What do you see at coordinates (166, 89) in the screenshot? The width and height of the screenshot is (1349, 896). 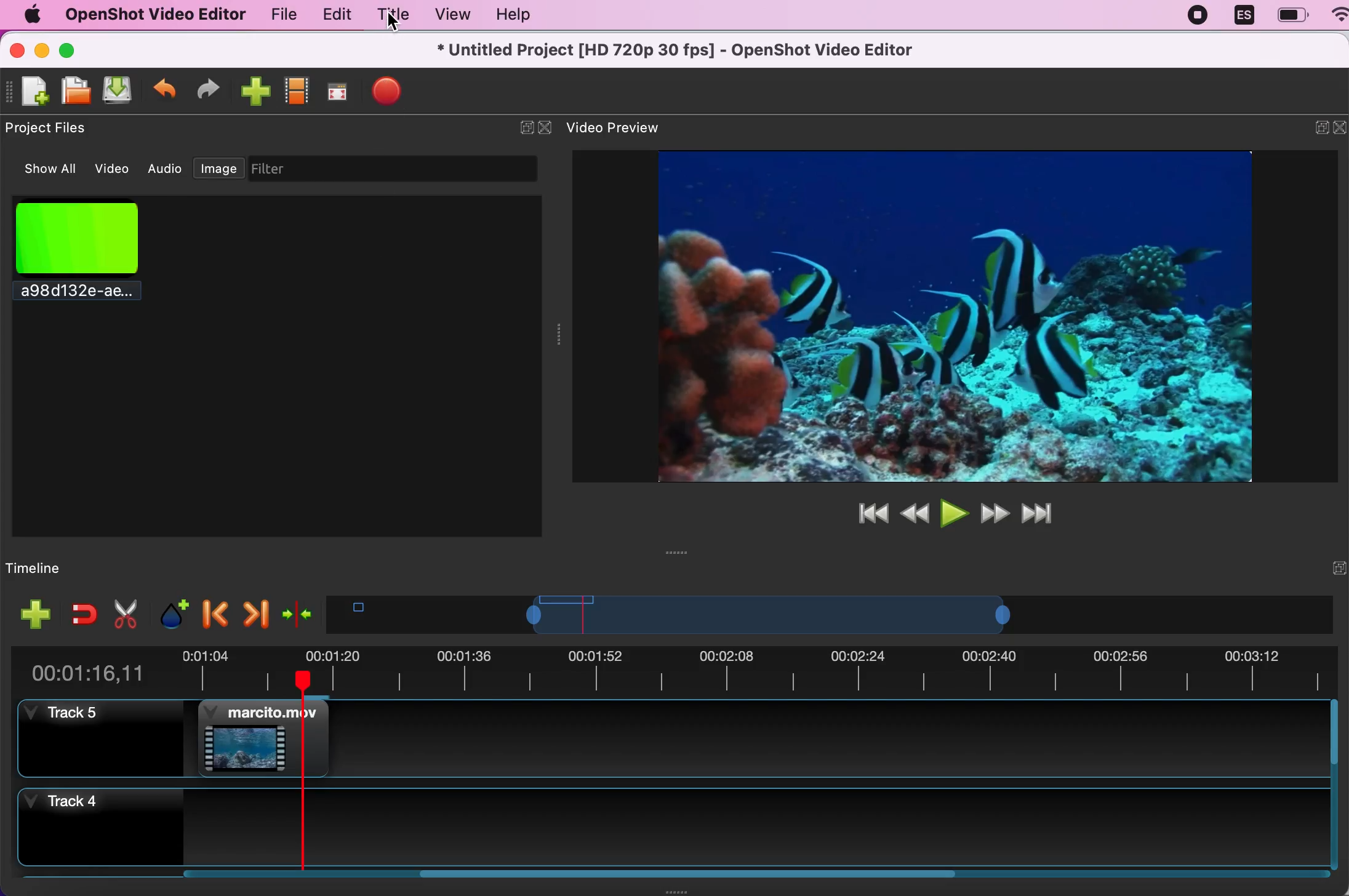 I see `undo` at bounding box center [166, 89].